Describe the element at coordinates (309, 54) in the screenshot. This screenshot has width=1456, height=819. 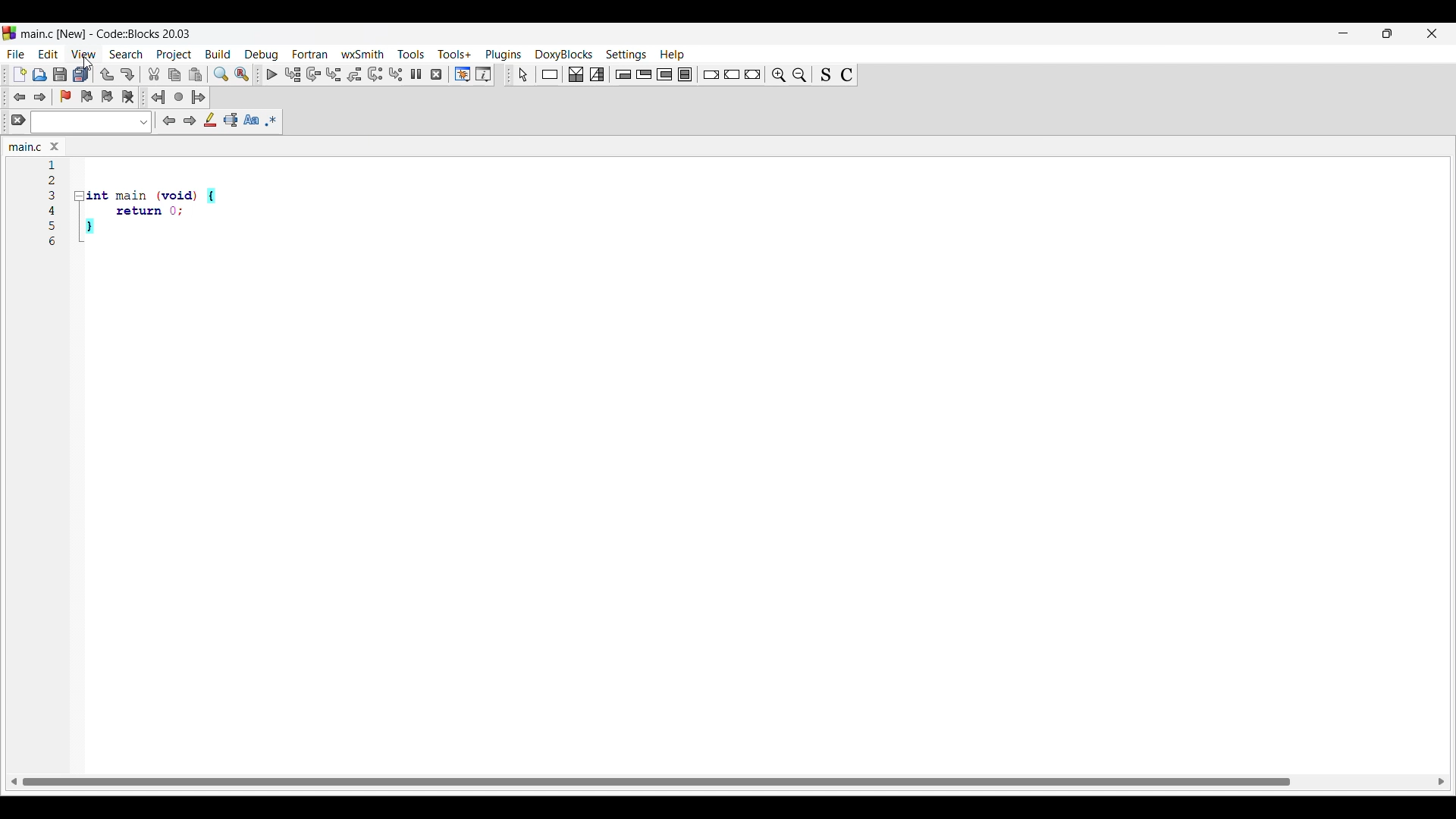
I see `Fortran menu` at that location.